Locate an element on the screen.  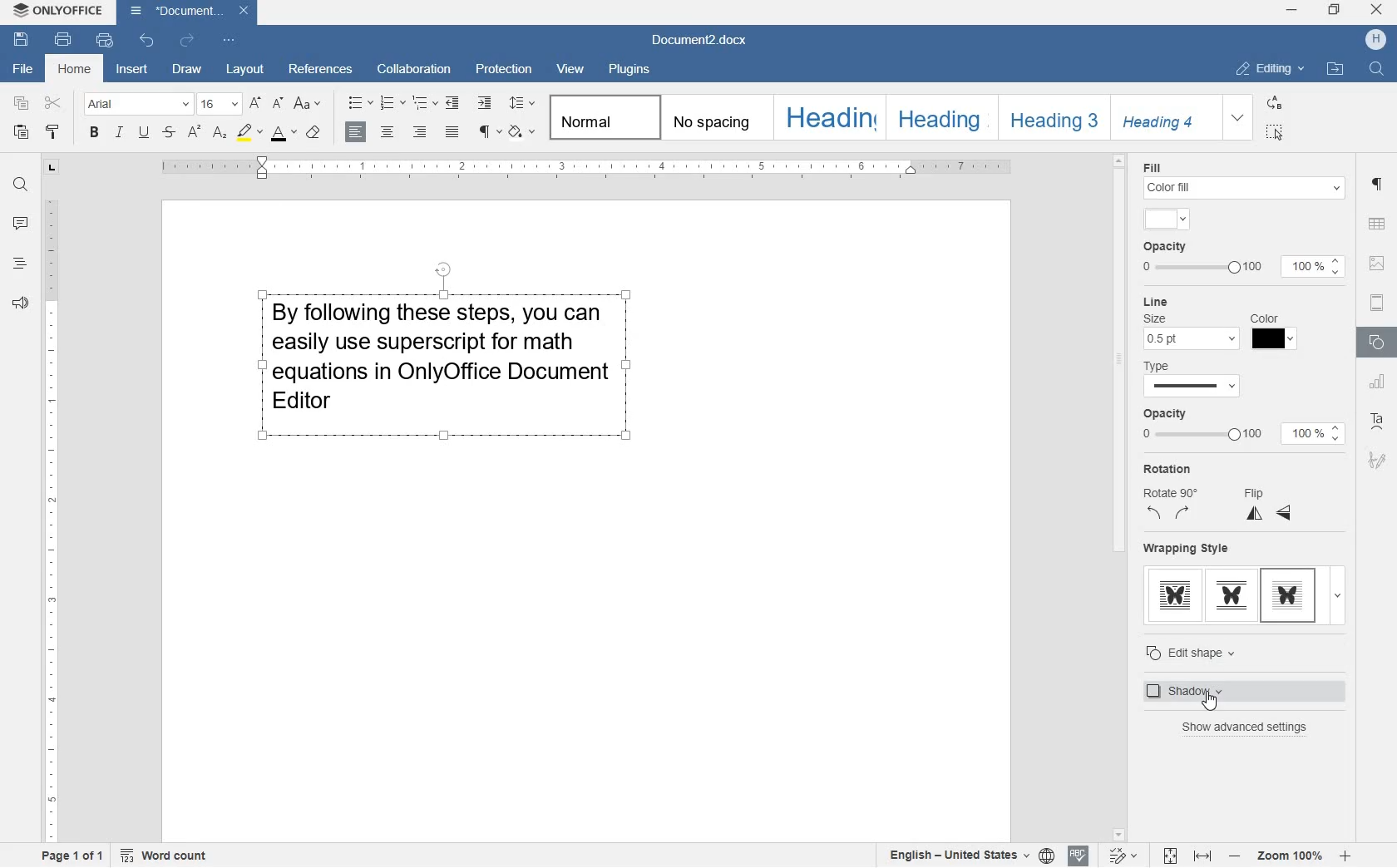
image is located at coordinates (1379, 265).